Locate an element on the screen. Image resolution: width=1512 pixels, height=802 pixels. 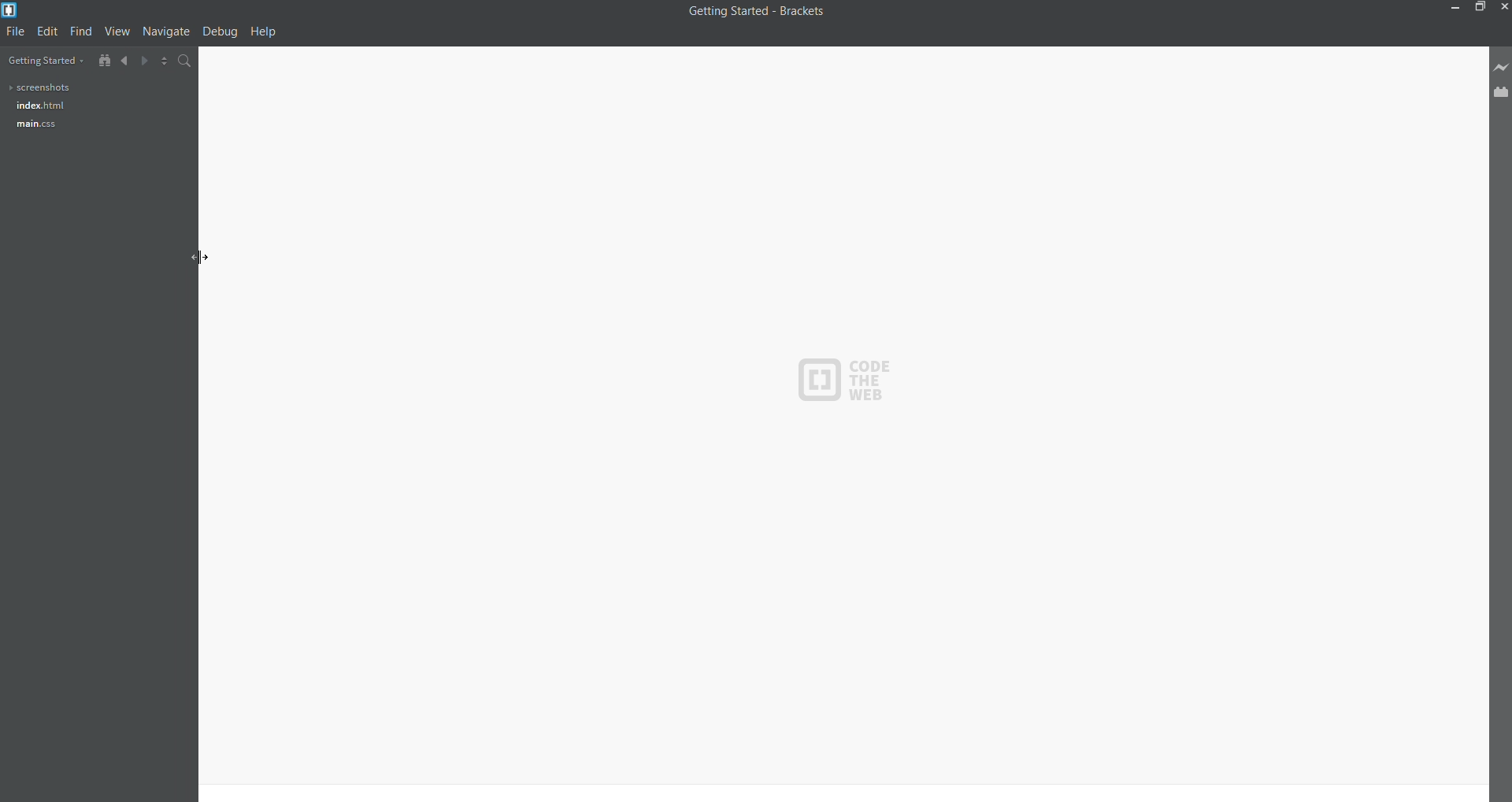
extension manager is located at coordinates (1501, 92).